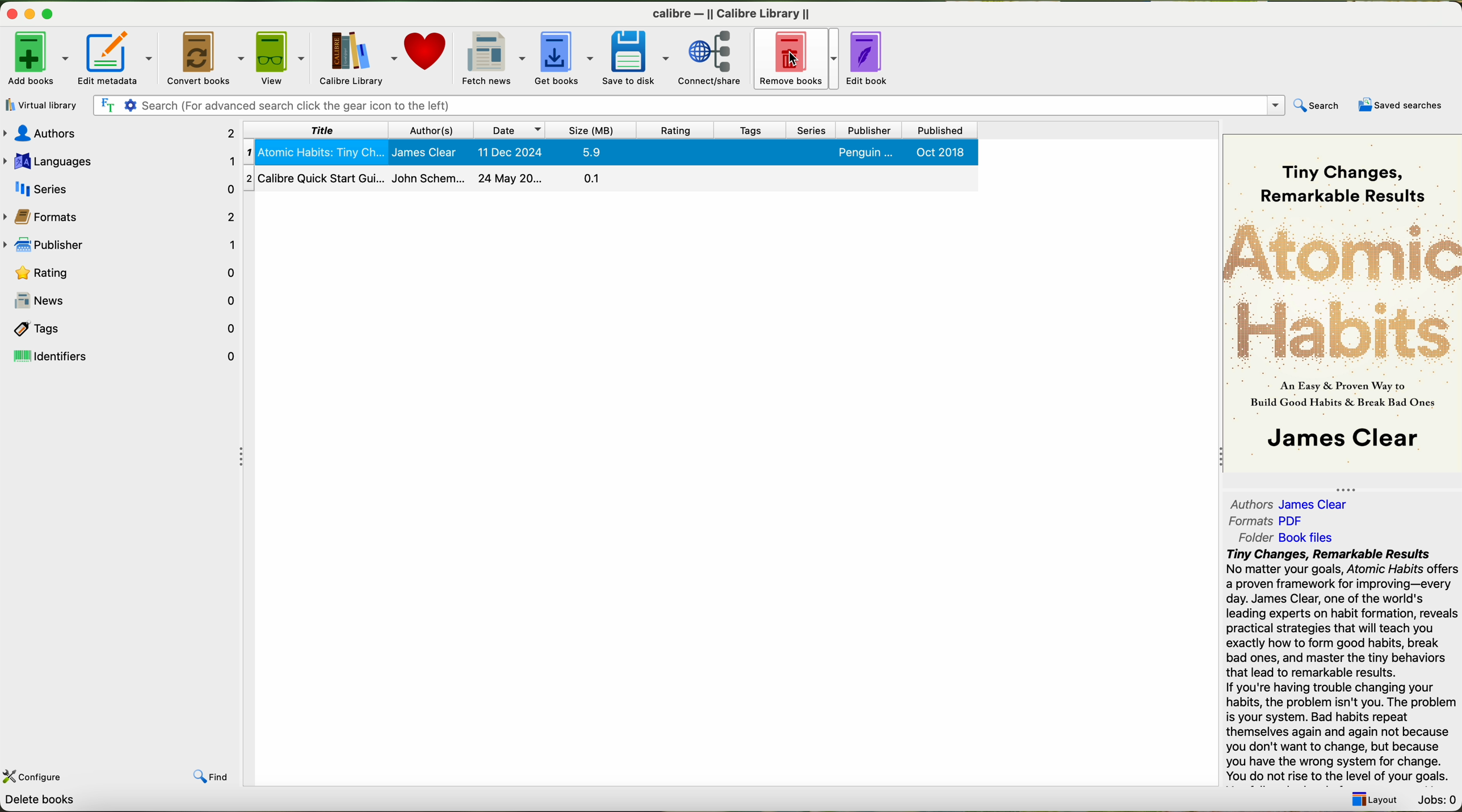 The width and height of the screenshot is (1462, 812). I want to click on close program, so click(10, 15).